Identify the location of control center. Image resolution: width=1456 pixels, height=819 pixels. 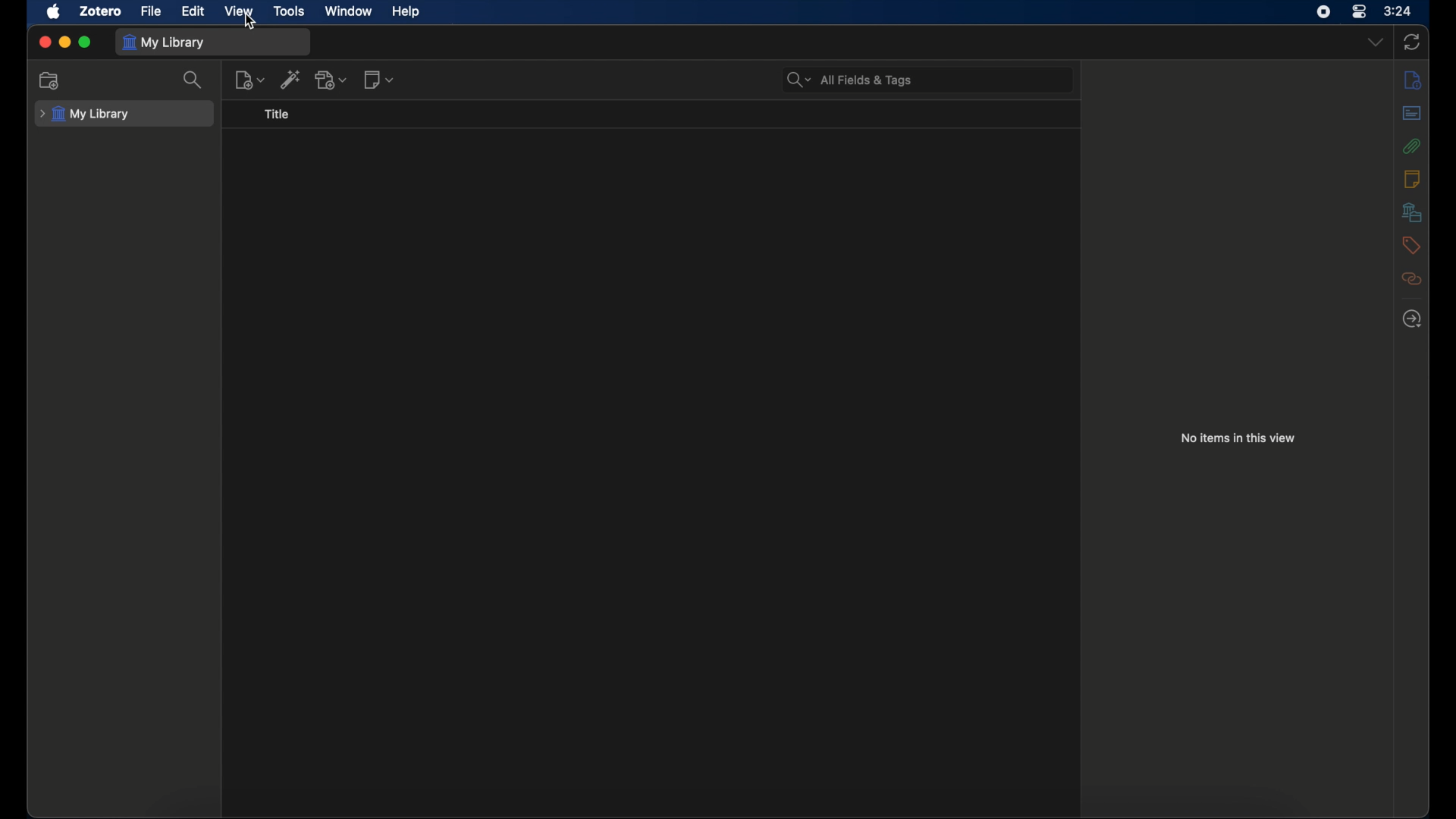
(1360, 12).